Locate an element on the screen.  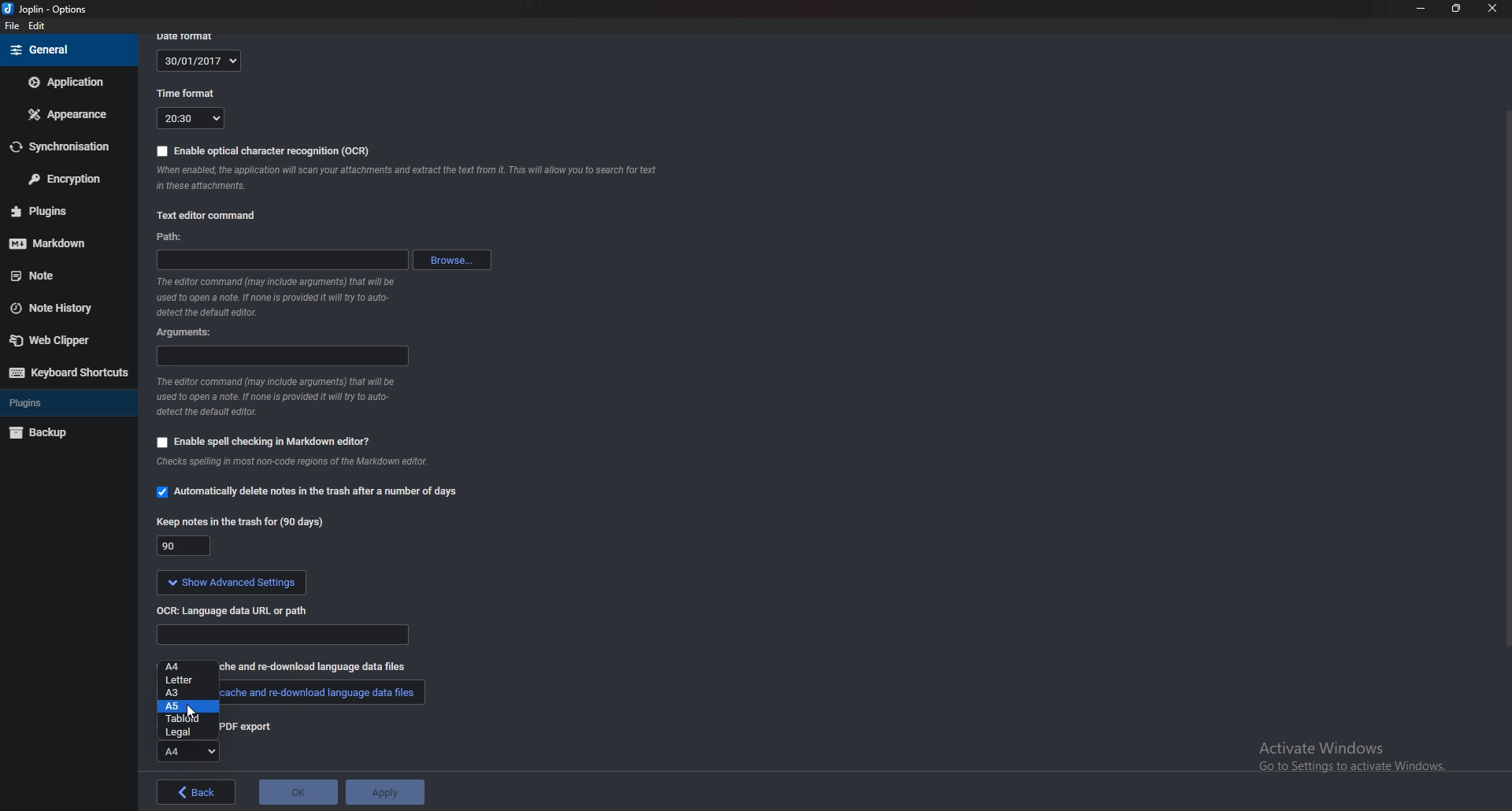
Edit is located at coordinates (37, 27).